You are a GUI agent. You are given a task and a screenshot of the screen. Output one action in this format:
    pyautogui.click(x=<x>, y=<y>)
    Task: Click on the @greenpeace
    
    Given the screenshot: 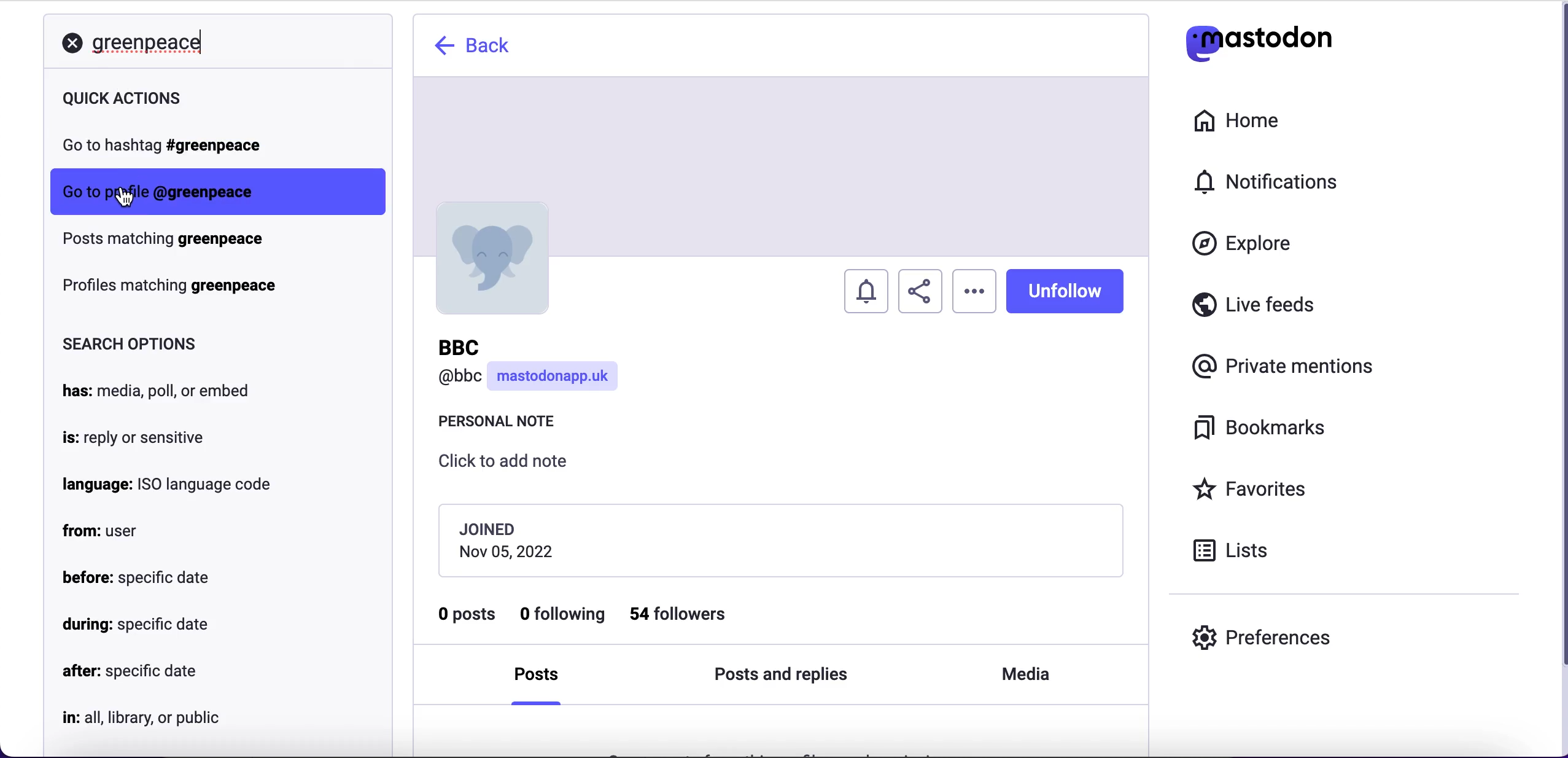 What is the action you would take?
    pyautogui.click(x=203, y=191)
    